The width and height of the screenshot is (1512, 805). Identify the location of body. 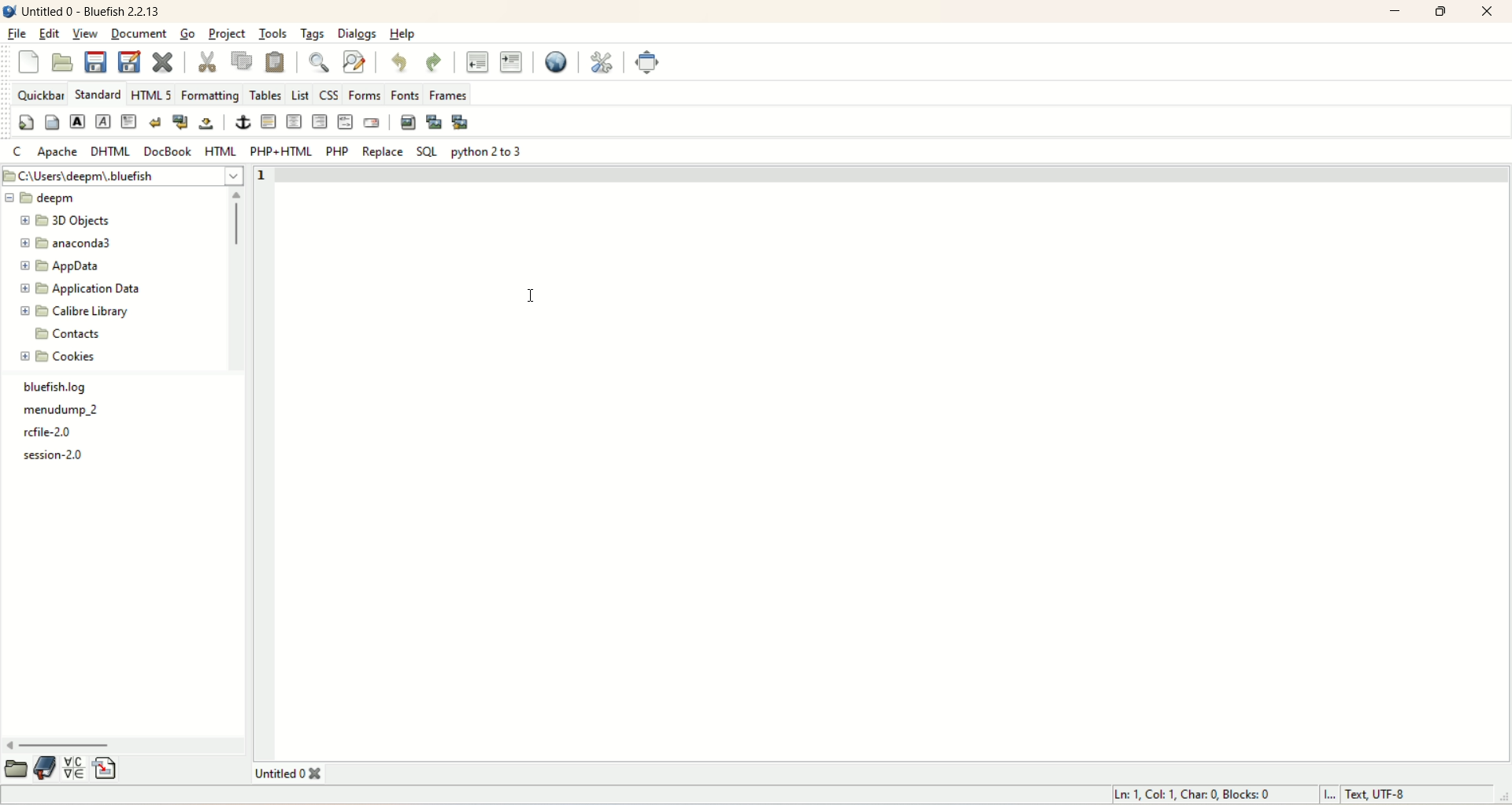
(51, 120).